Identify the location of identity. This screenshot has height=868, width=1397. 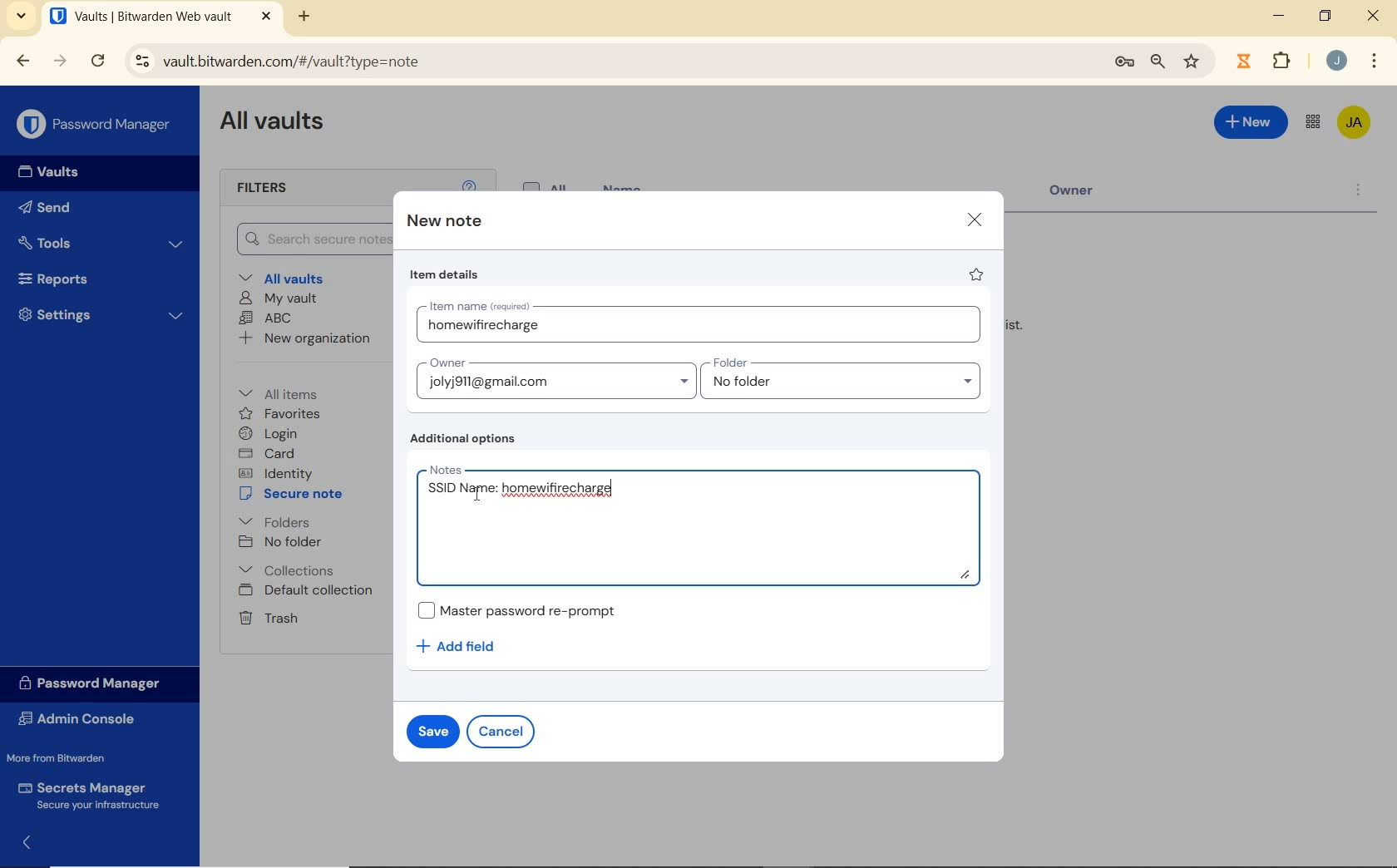
(275, 472).